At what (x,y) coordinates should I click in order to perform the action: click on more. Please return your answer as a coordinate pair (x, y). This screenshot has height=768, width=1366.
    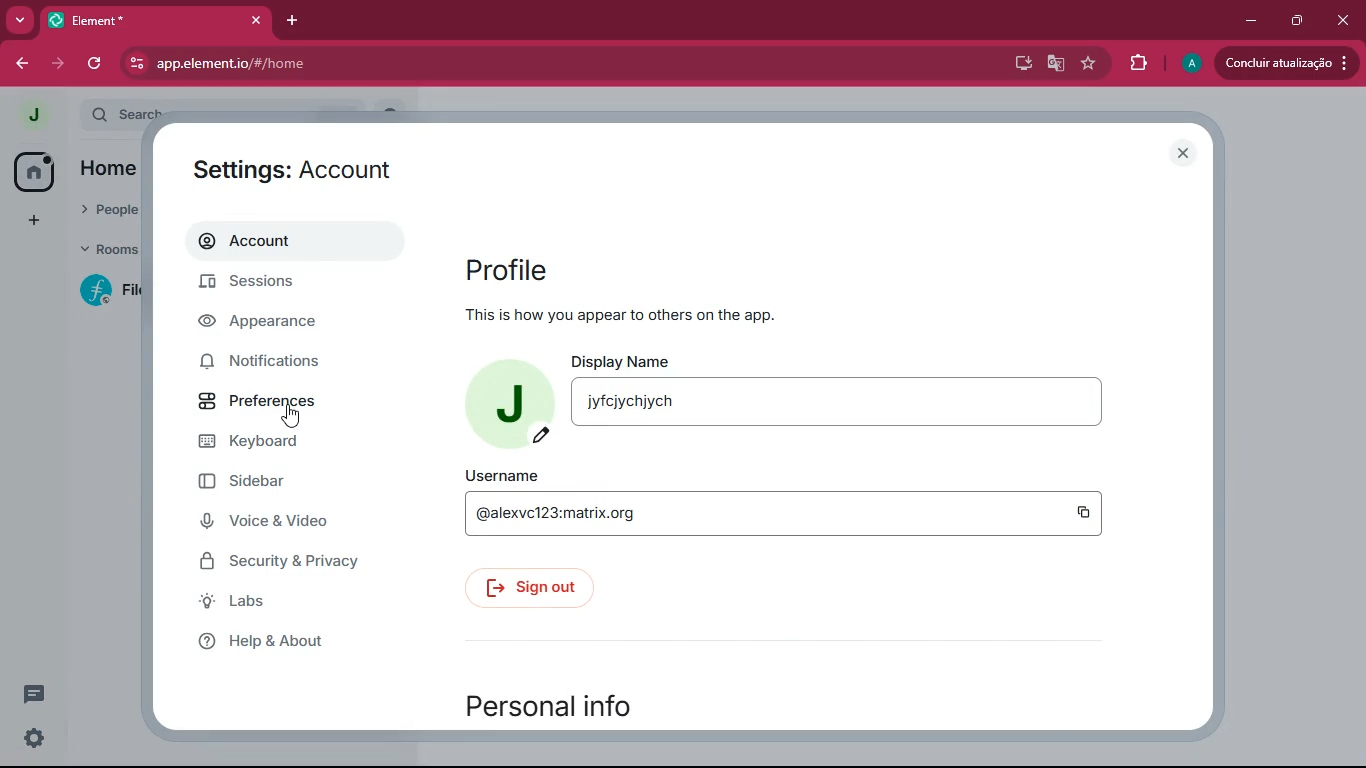
    Looking at the image, I should click on (20, 21).